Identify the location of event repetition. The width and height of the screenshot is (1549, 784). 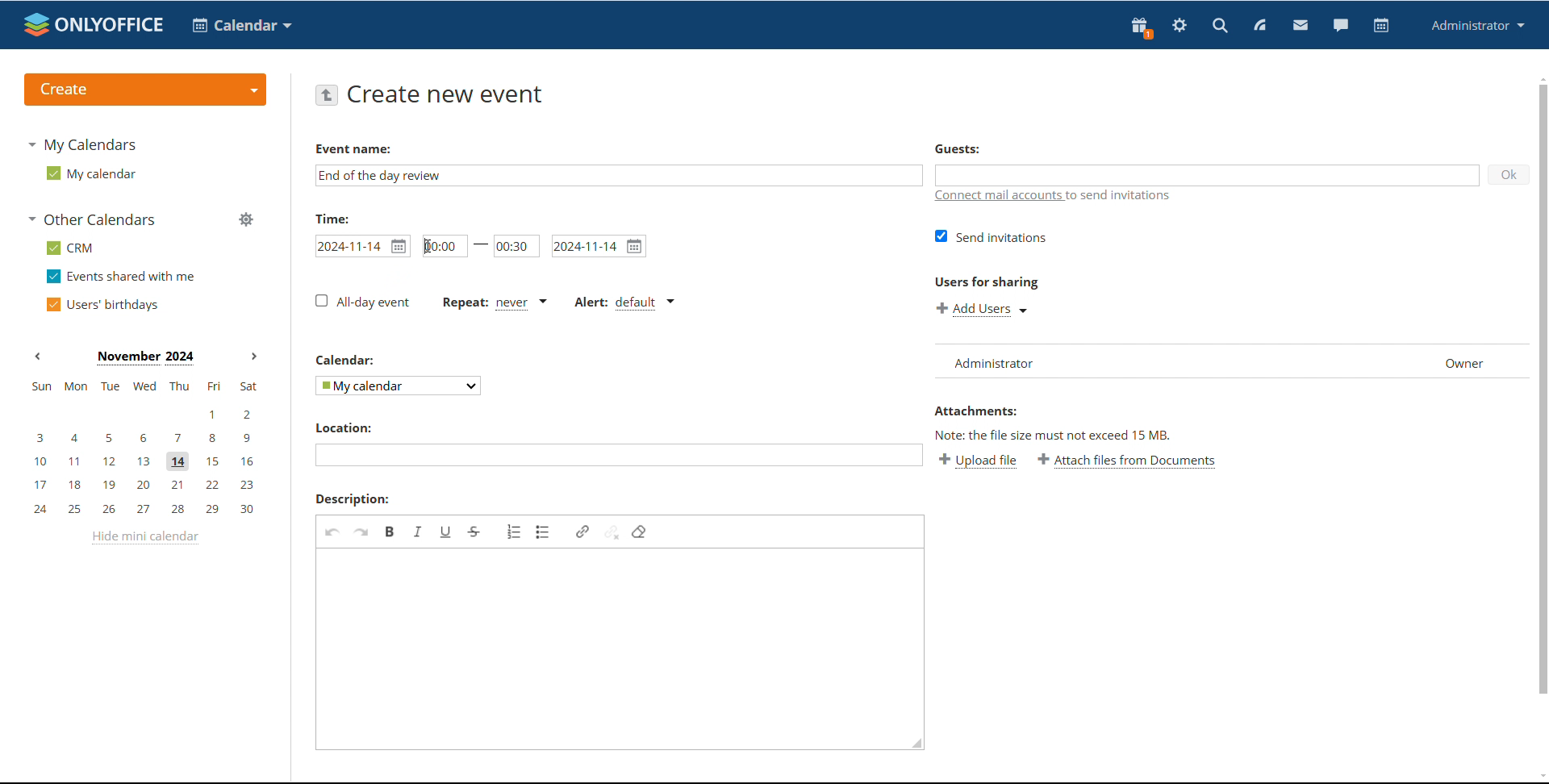
(493, 302).